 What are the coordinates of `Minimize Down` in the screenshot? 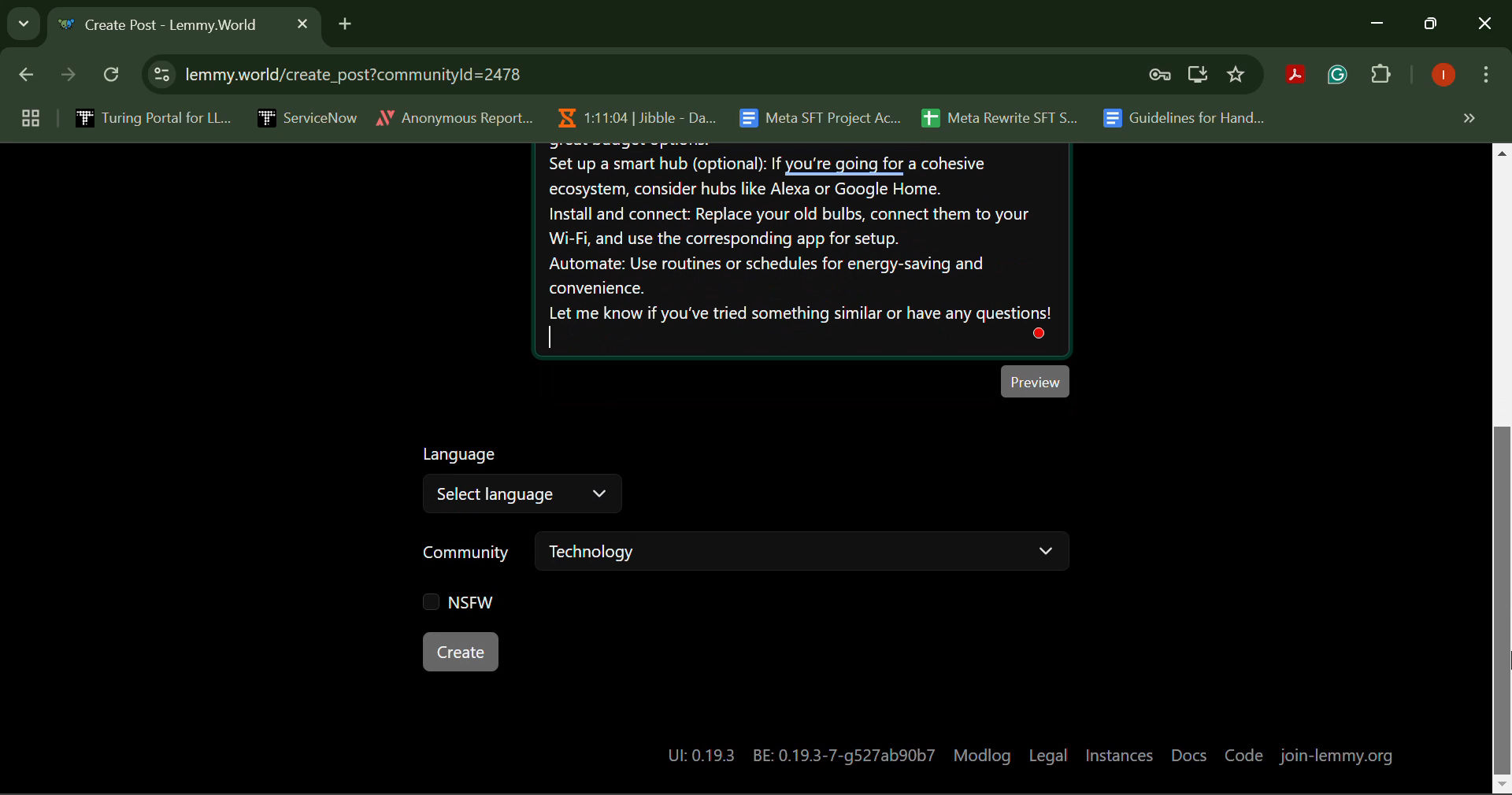 It's located at (1380, 24).